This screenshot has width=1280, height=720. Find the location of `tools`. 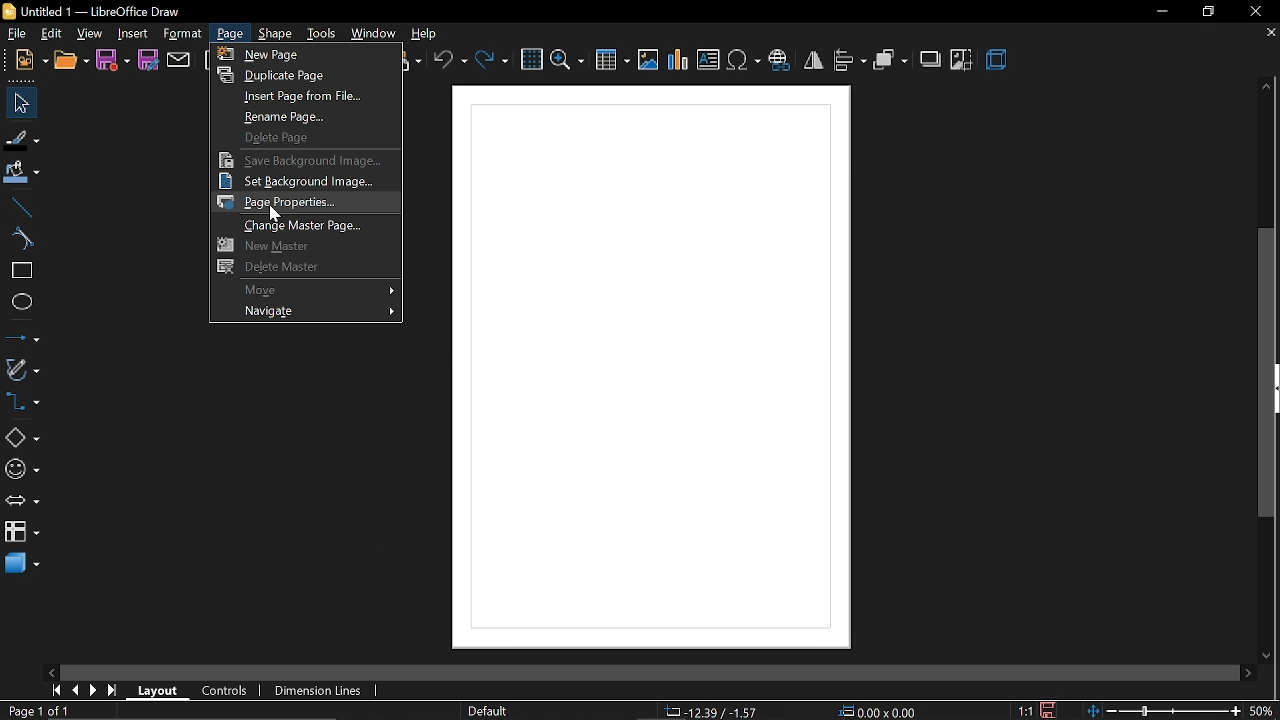

tools is located at coordinates (321, 33).